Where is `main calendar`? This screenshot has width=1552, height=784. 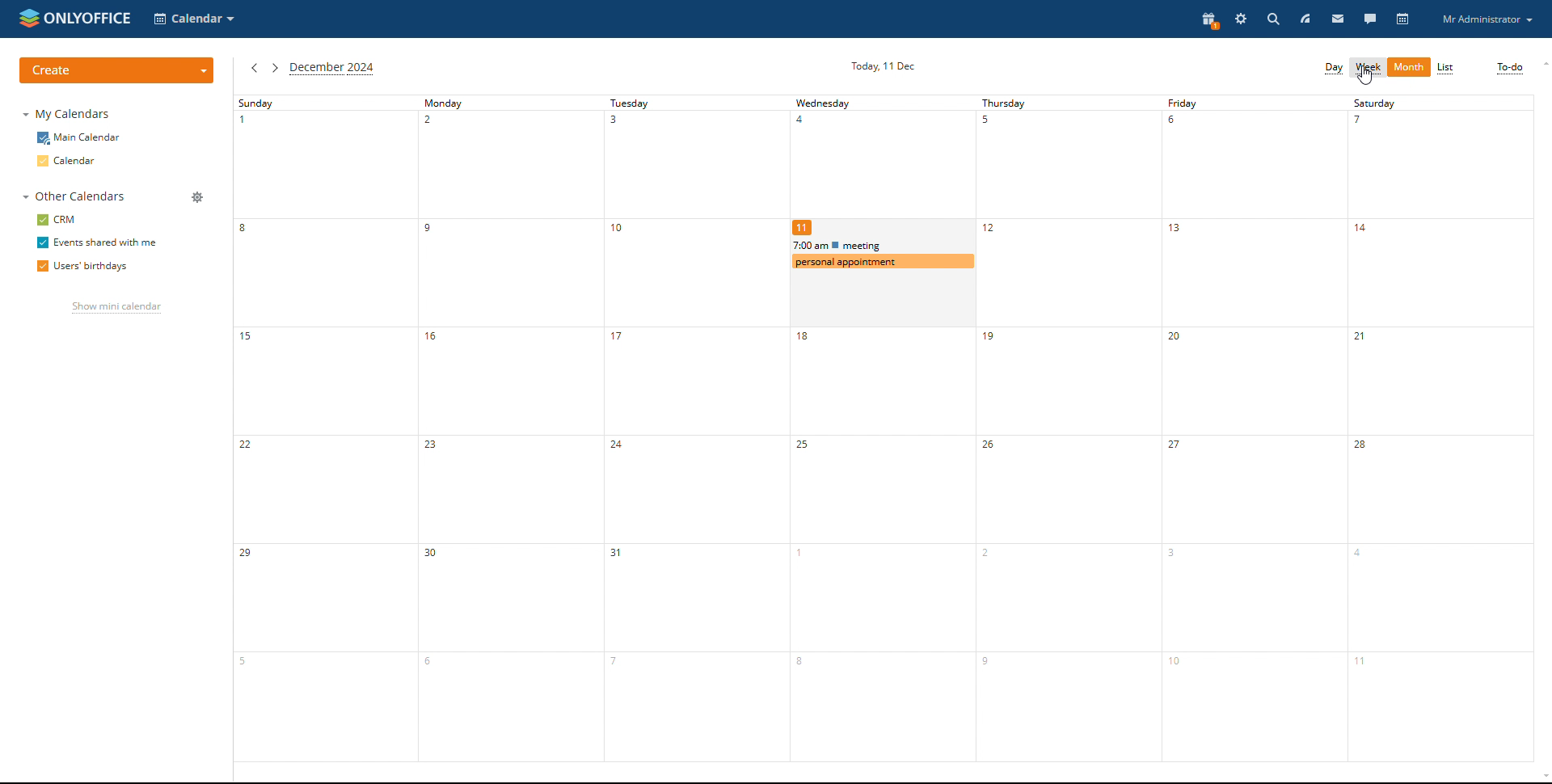
main calendar is located at coordinates (78, 138).